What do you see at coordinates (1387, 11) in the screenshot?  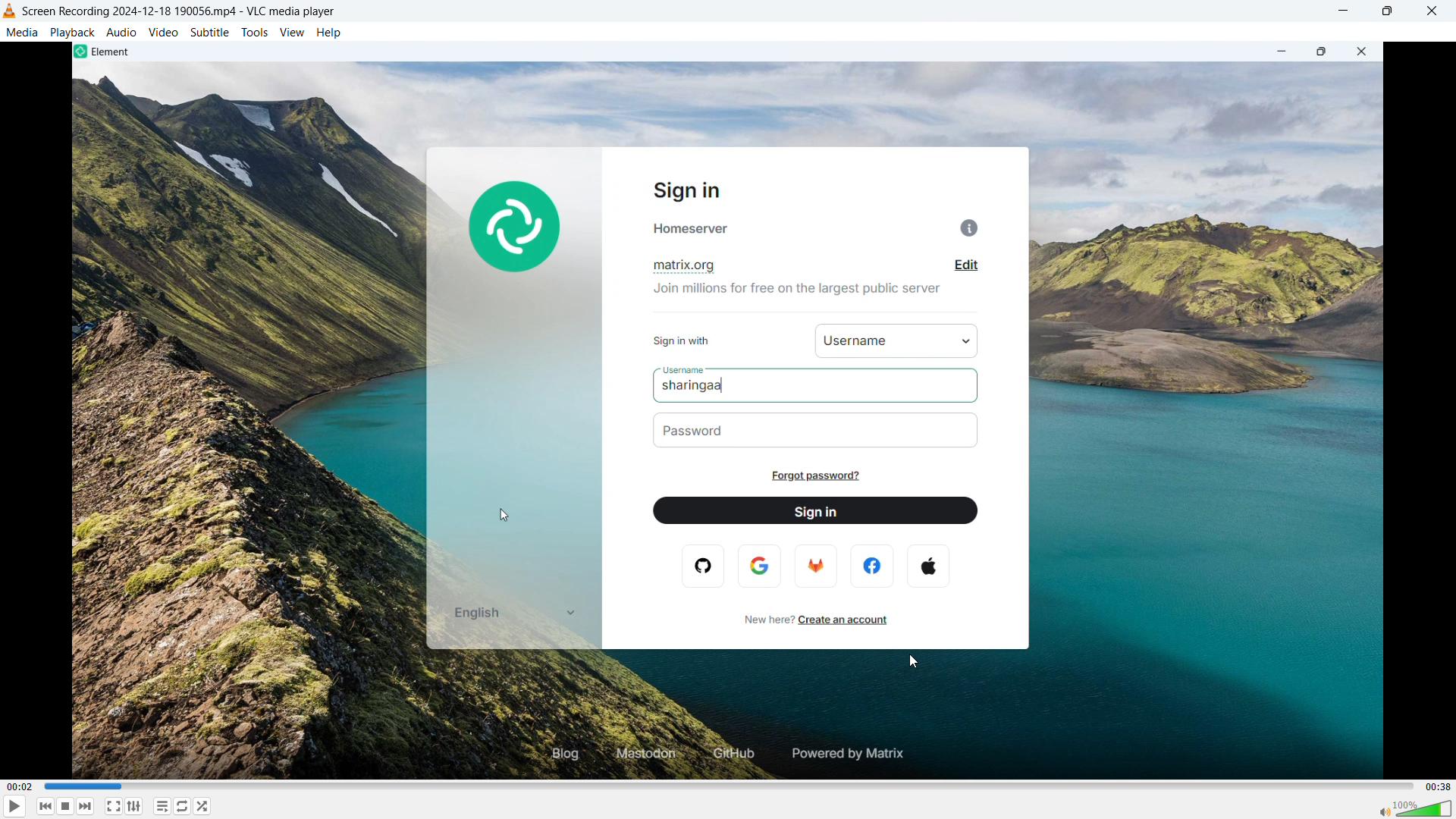 I see `Maximise ` at bounding box center [1387, 11].